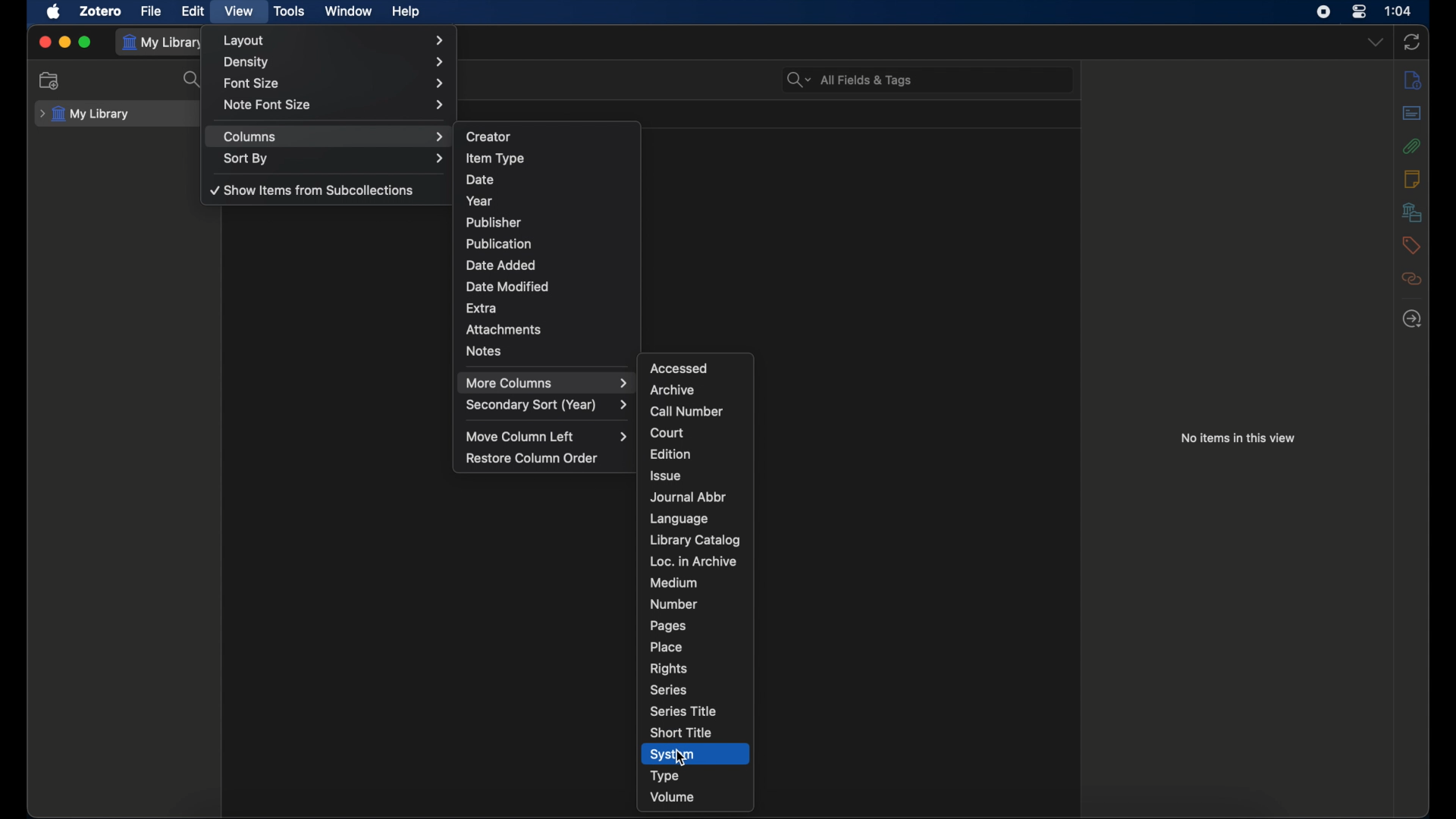 Image resolution: width=1456 pixels, height=819 pixels. I want to click on tags, so click(1412, 246).